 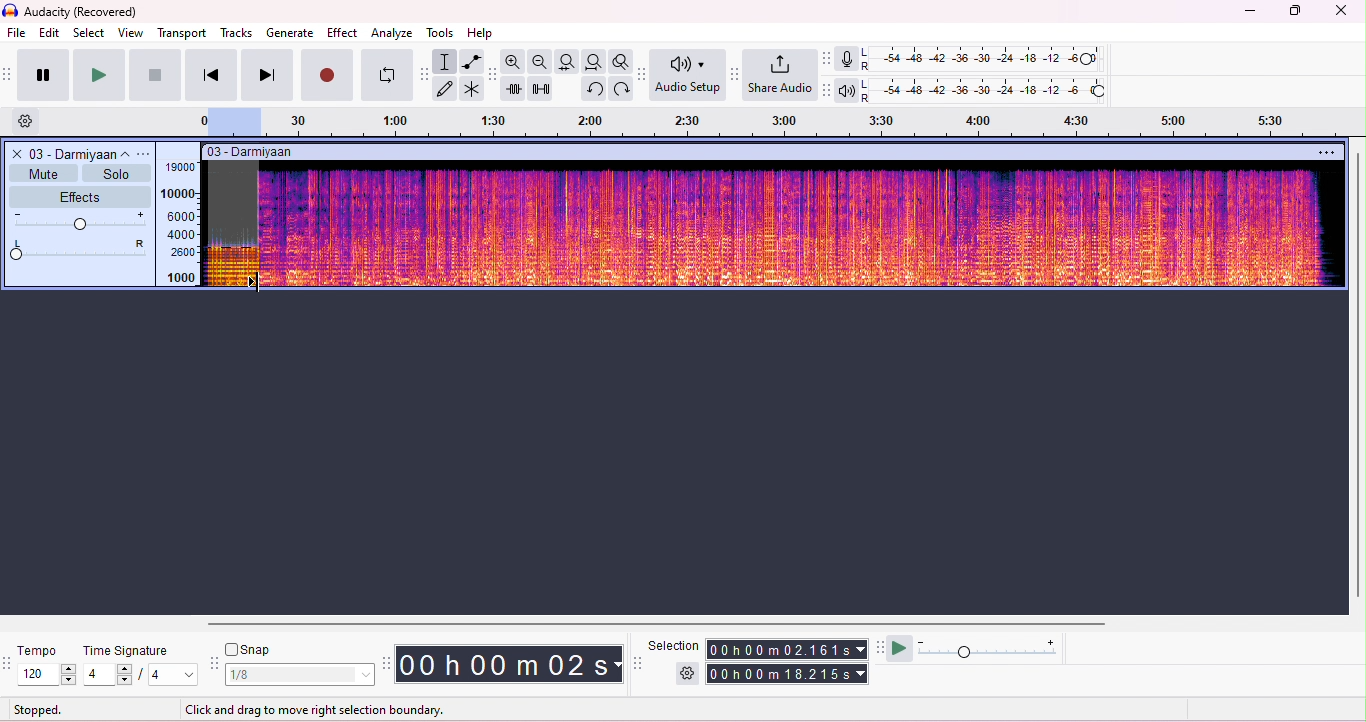 What do you see at coordinates (16, 32) in the screenshot?
I see `file` at bounding box center [16, 32].